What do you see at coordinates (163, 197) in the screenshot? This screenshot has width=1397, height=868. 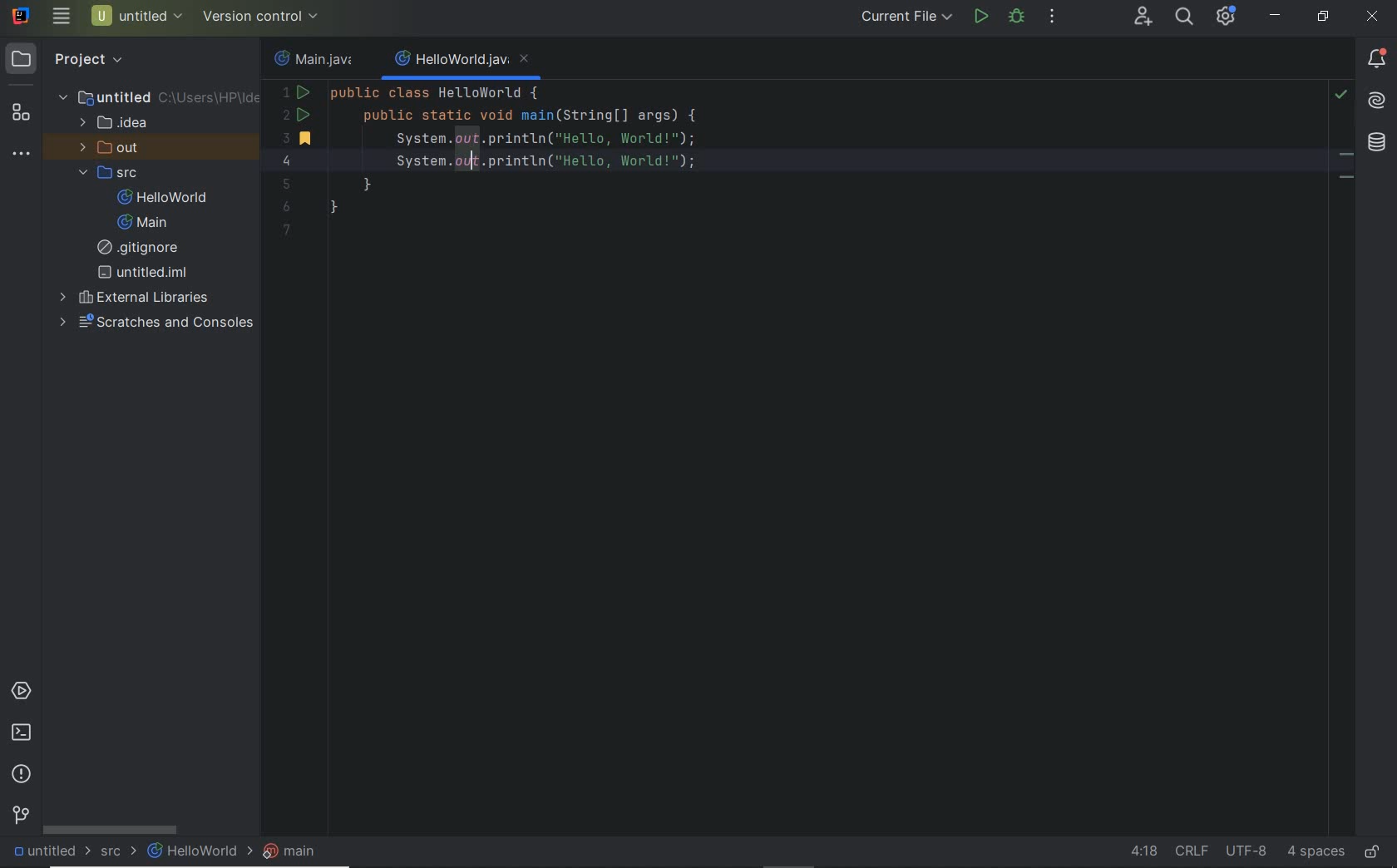 I see `HelloWorld` at bounding box center [163, 197].